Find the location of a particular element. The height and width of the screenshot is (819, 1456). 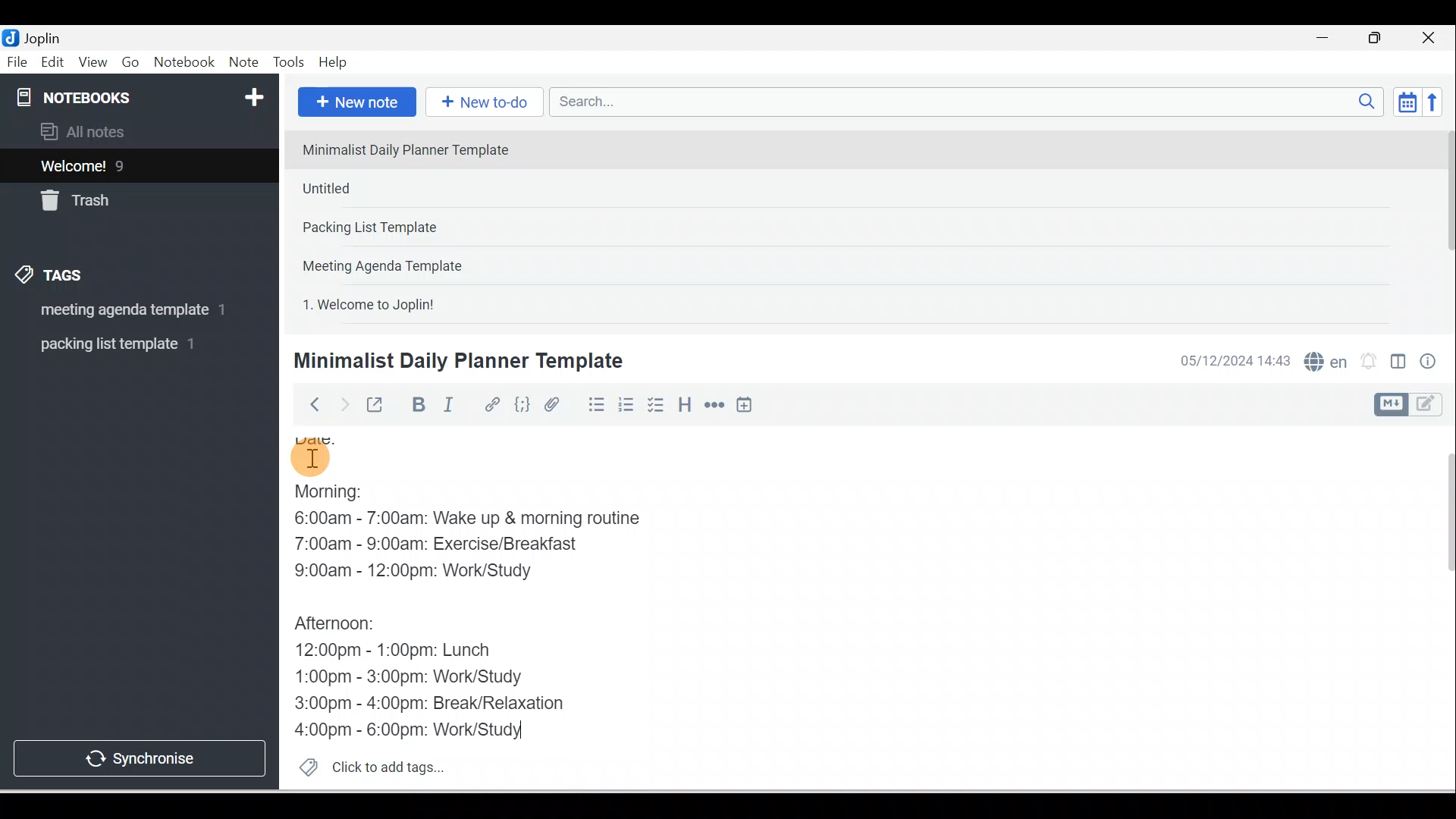

Toggle editors is located at coordinates (1398, 364).